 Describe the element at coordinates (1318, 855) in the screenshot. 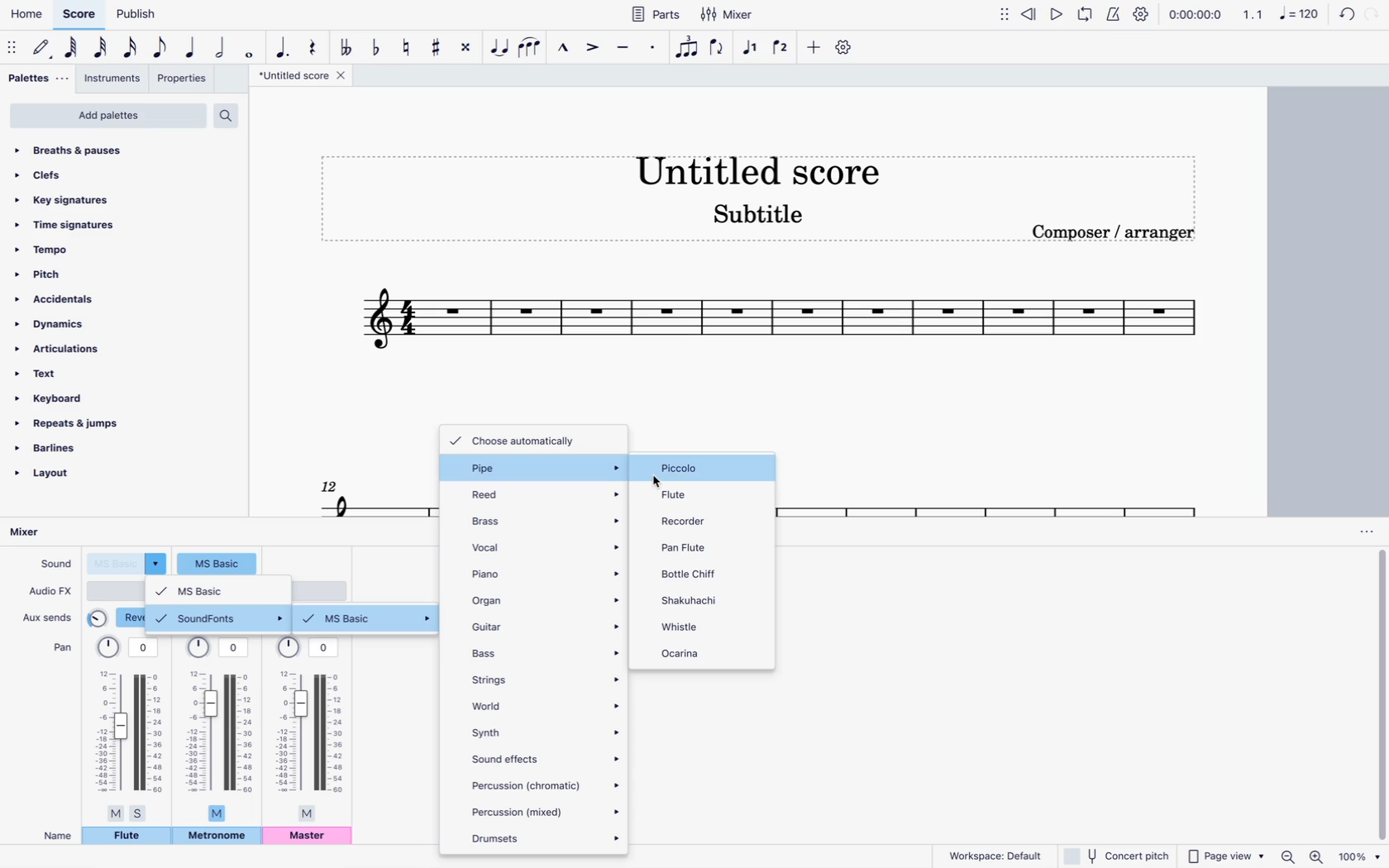

I see `zoom in` at that location.